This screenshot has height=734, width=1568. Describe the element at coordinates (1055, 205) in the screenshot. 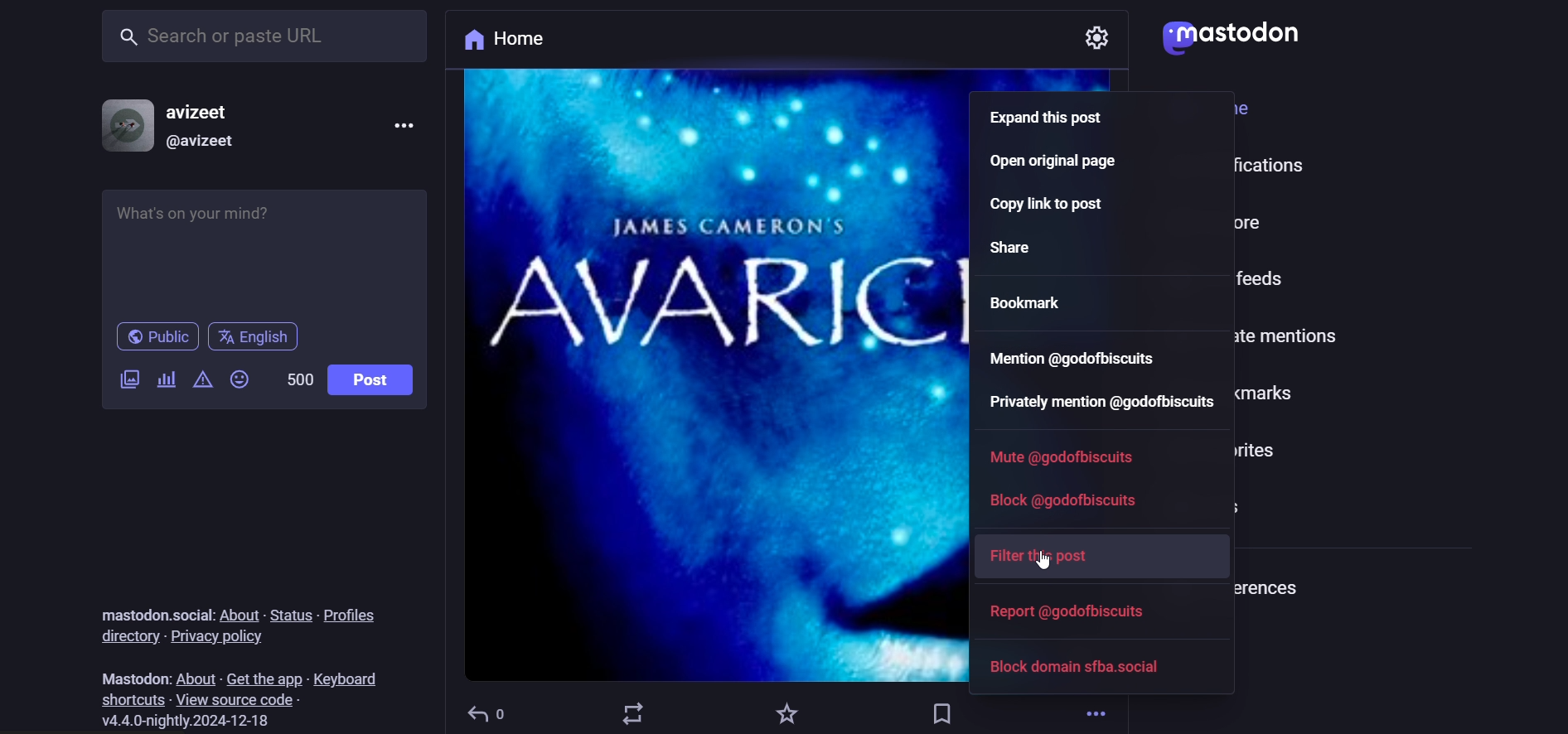

I see `copy link to post` at that location.